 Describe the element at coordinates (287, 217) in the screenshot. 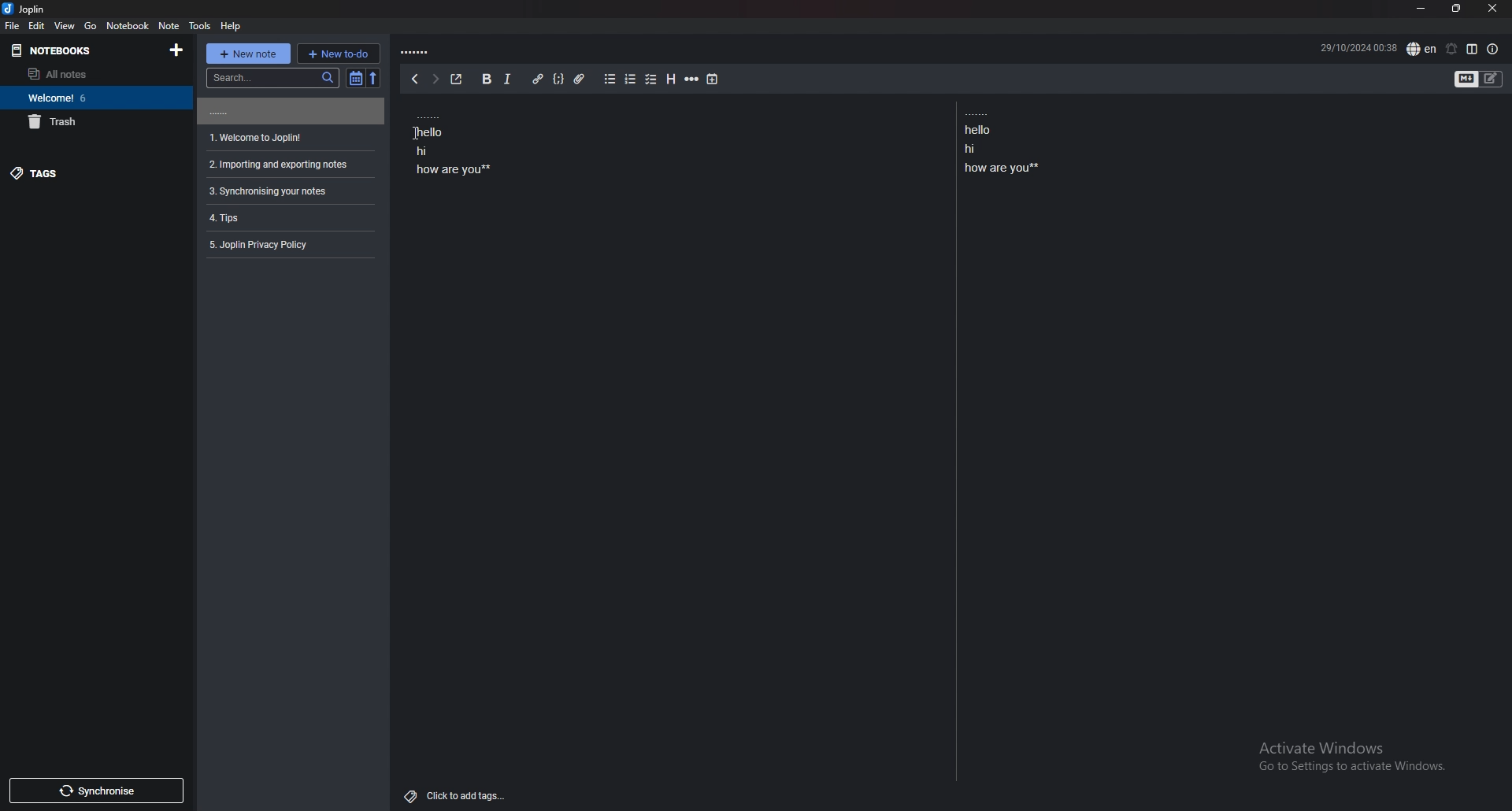

I see `note` at that location.